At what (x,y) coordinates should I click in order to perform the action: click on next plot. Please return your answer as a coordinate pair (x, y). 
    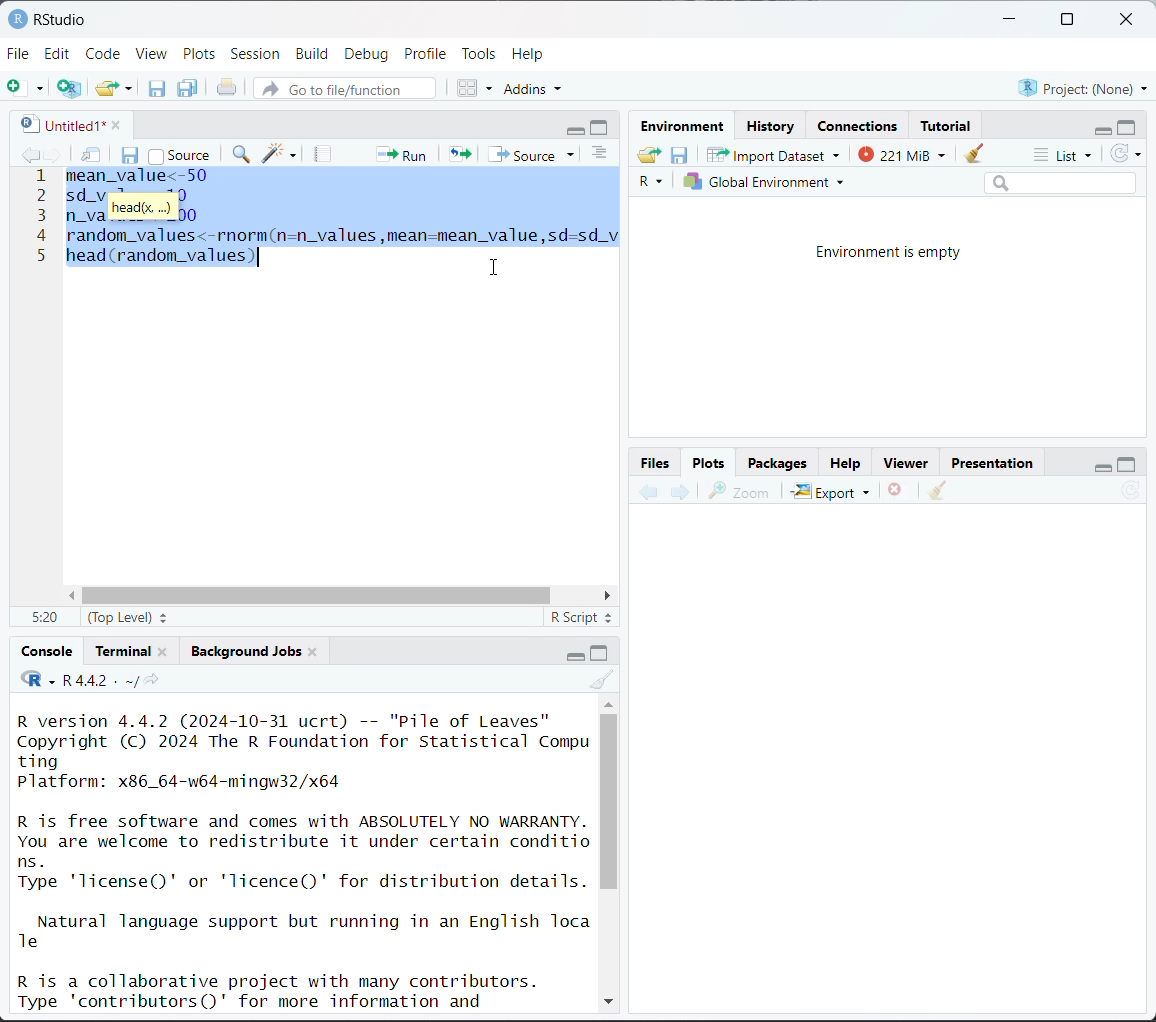
    Looking at the image, I should click on (678, 492).